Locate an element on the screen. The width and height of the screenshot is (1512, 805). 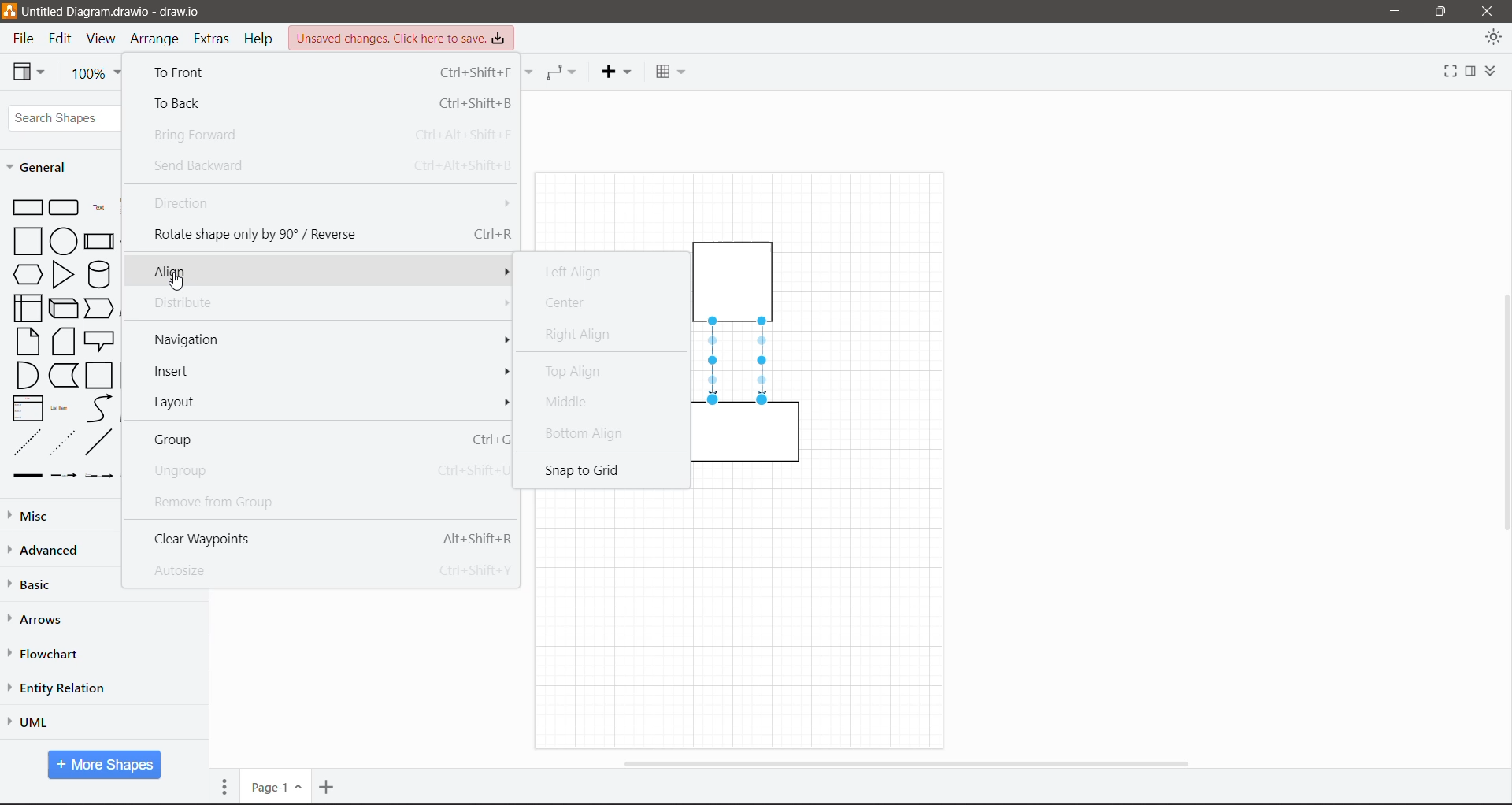
Arrows is located at coordinates (39, 620).